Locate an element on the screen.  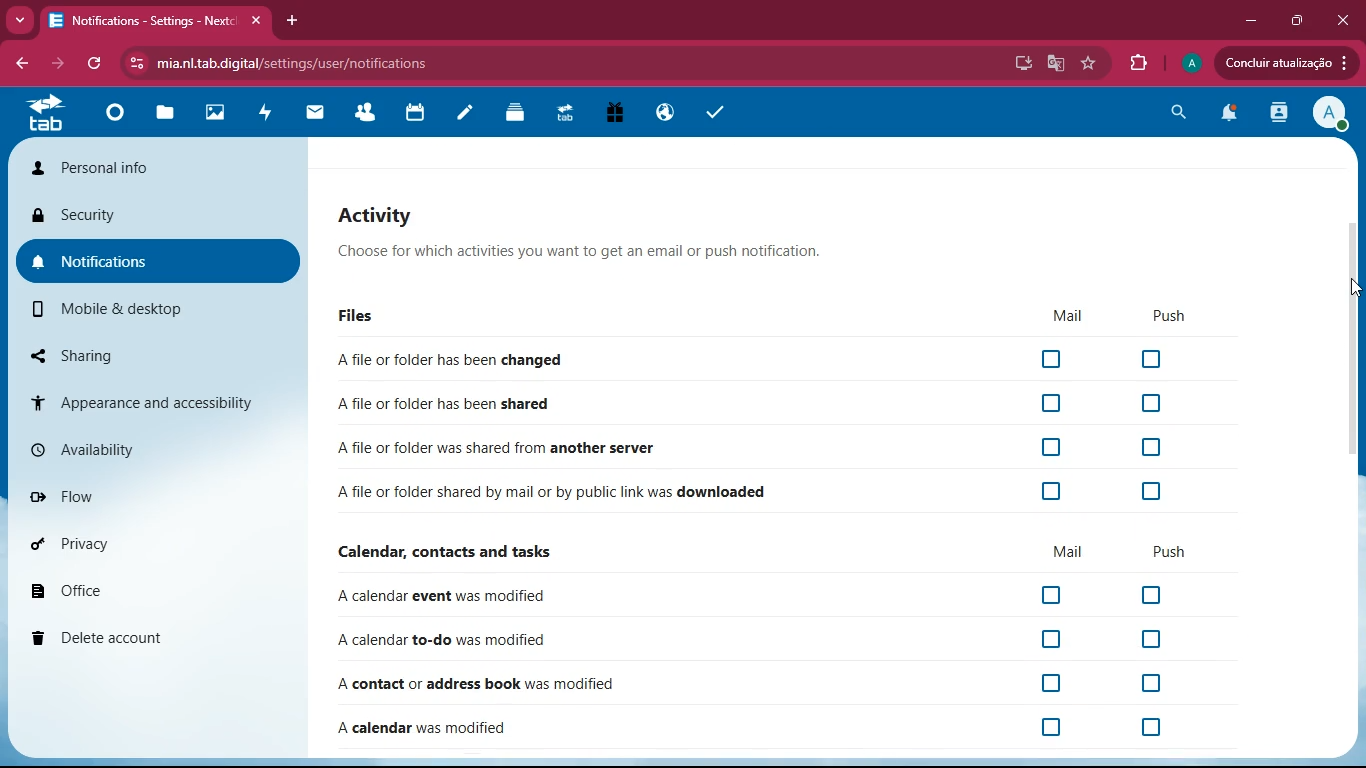
mail is located at coordinates (314, 115).